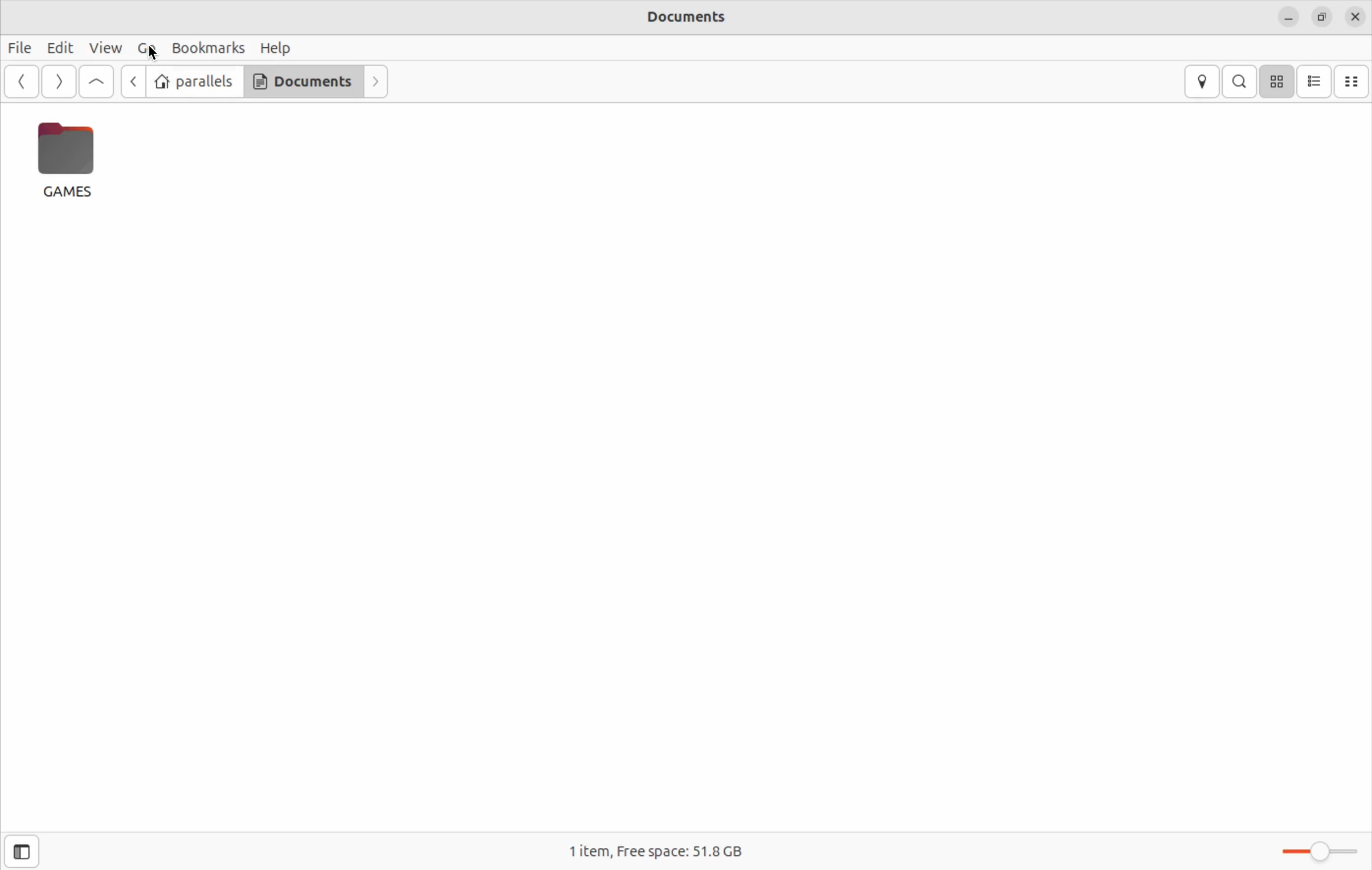 The width and height of the screenshot is (1372, 870). I want to click on 1 item free space 51.8 Gb, so click(663, 848).